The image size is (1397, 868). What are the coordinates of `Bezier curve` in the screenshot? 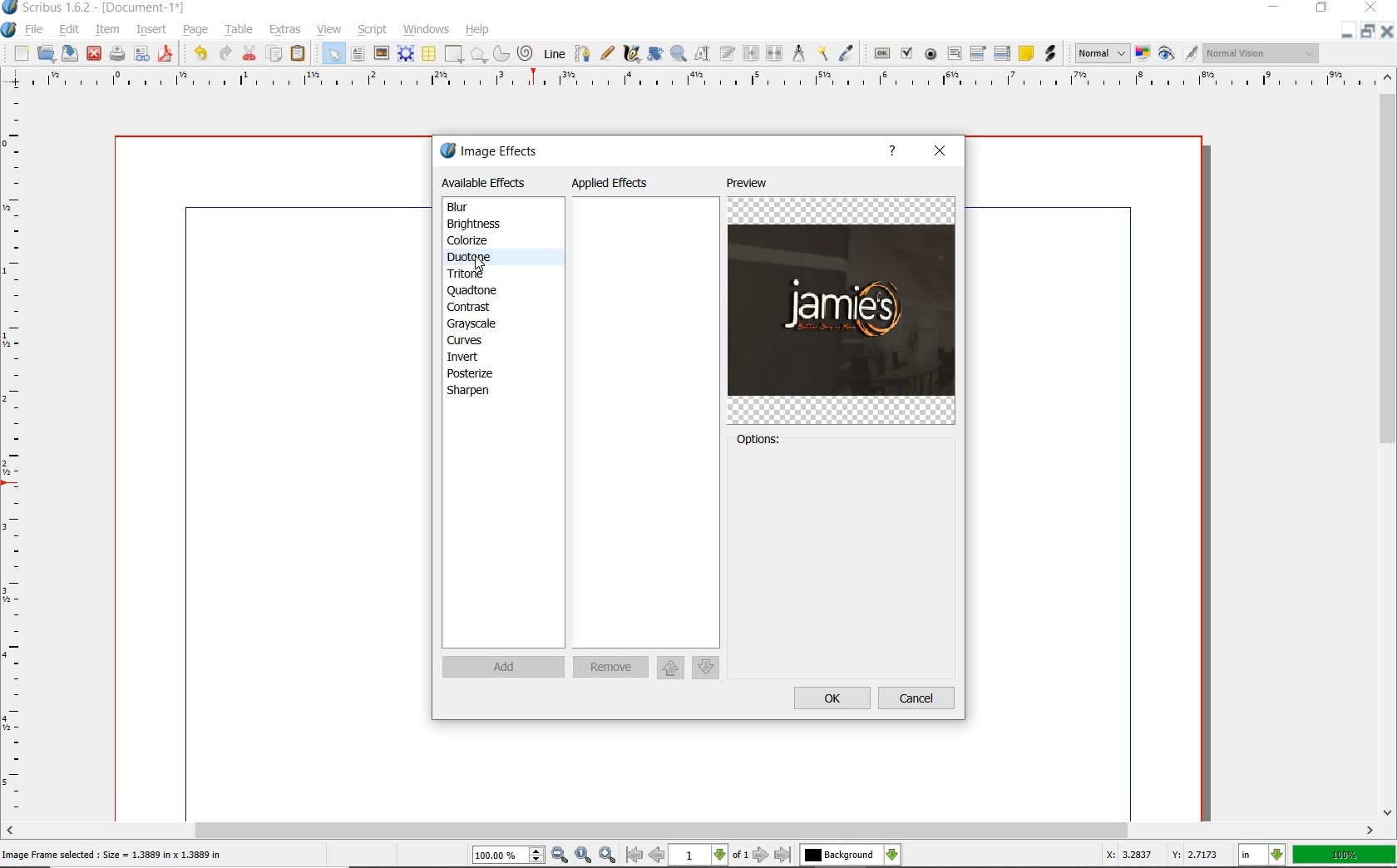 It's located at (583, 54).